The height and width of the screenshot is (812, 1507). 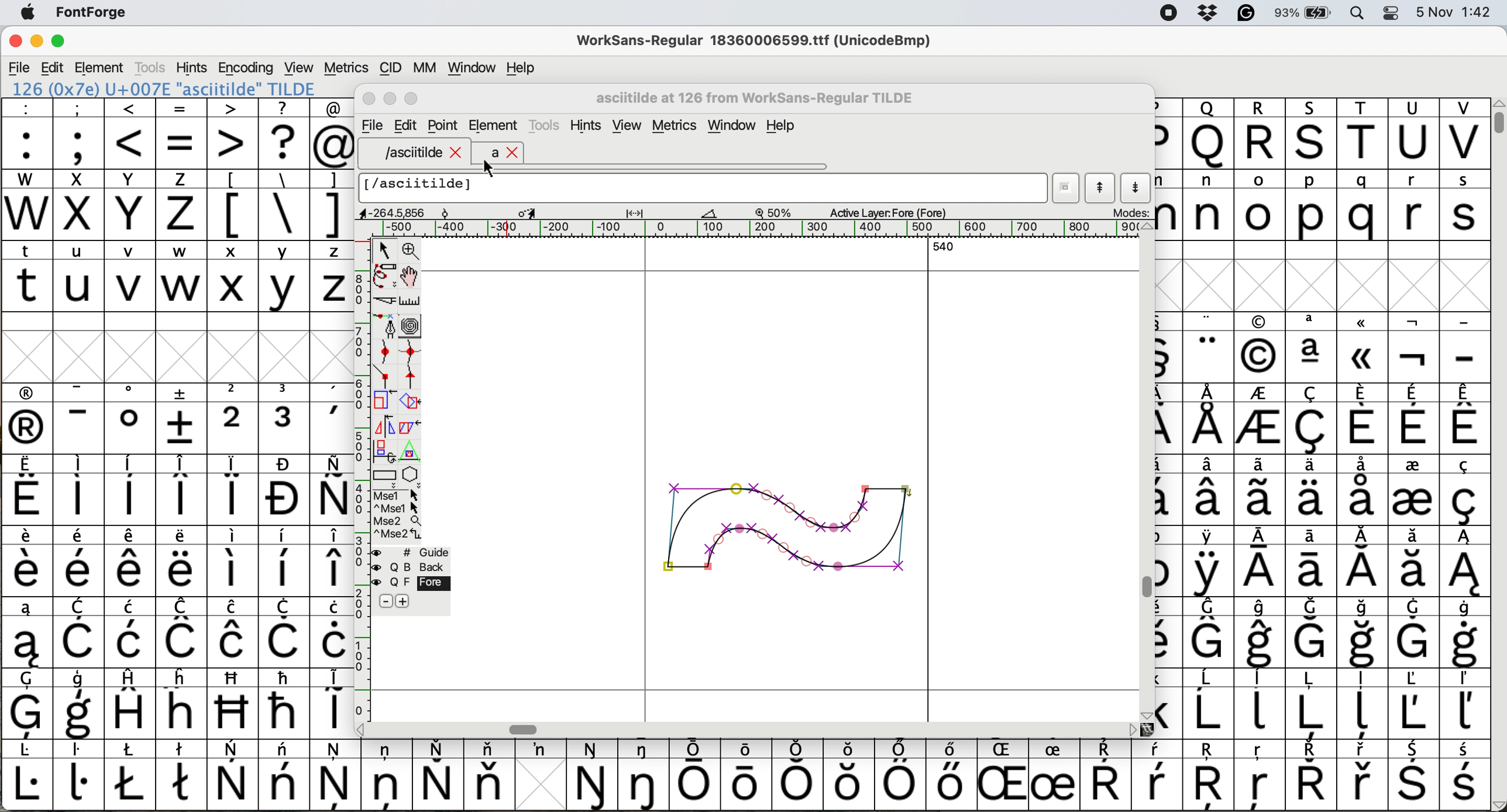 I want to click on V, so click(x=1464, y=134).